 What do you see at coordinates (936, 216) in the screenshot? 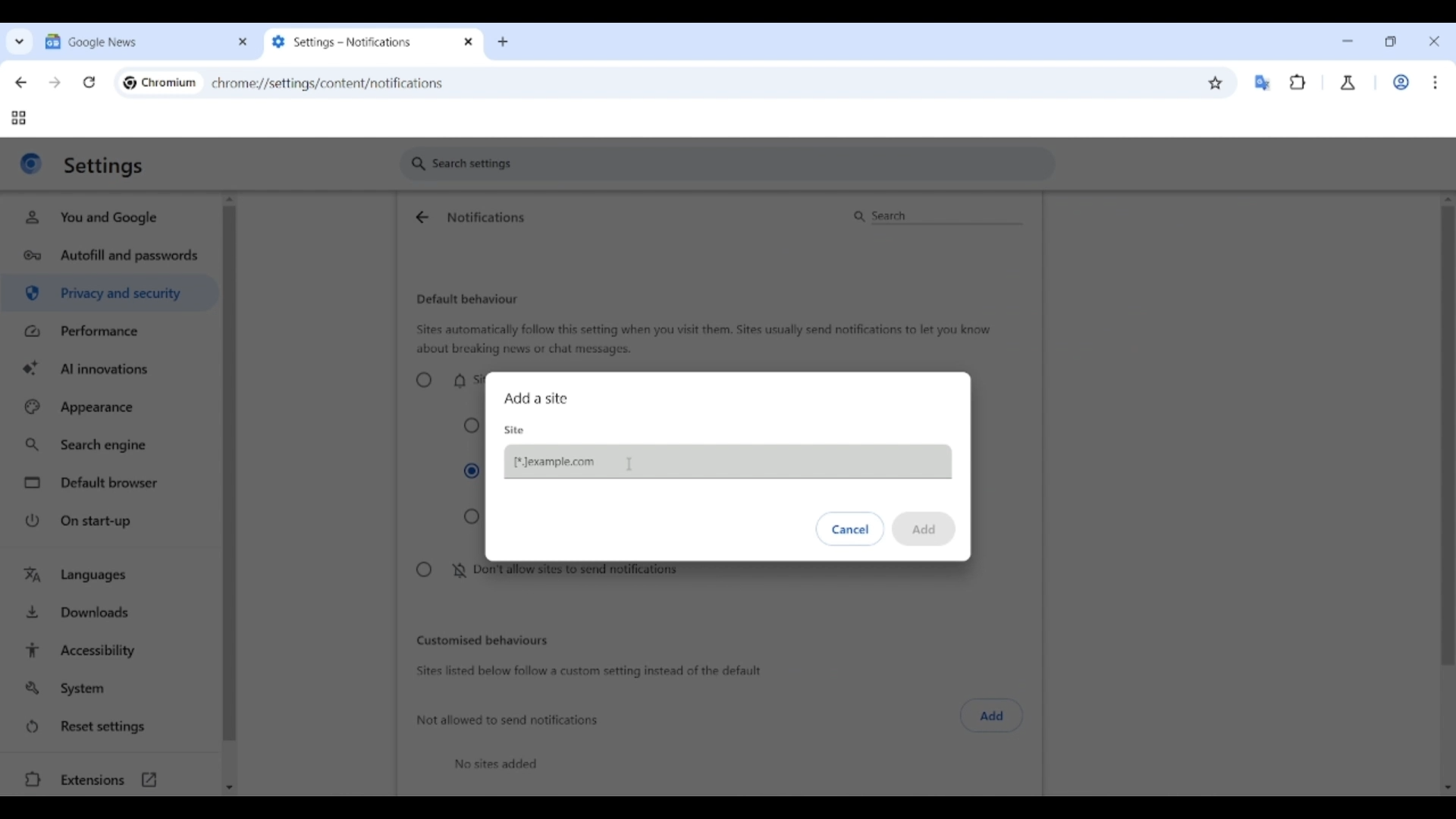
I see `Search notifications` at bounding box center [936, 216].